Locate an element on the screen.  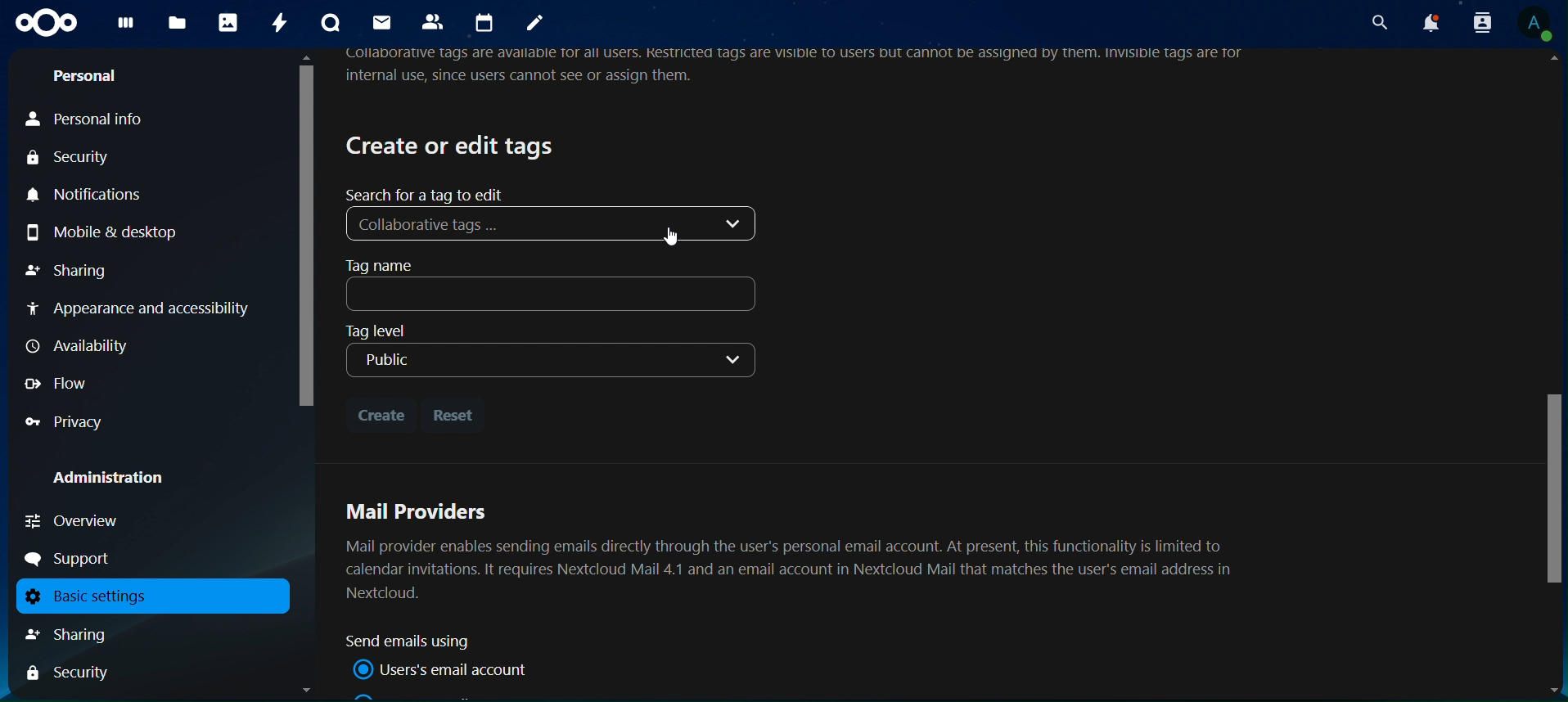
overview is located at coordinates (74, 520).